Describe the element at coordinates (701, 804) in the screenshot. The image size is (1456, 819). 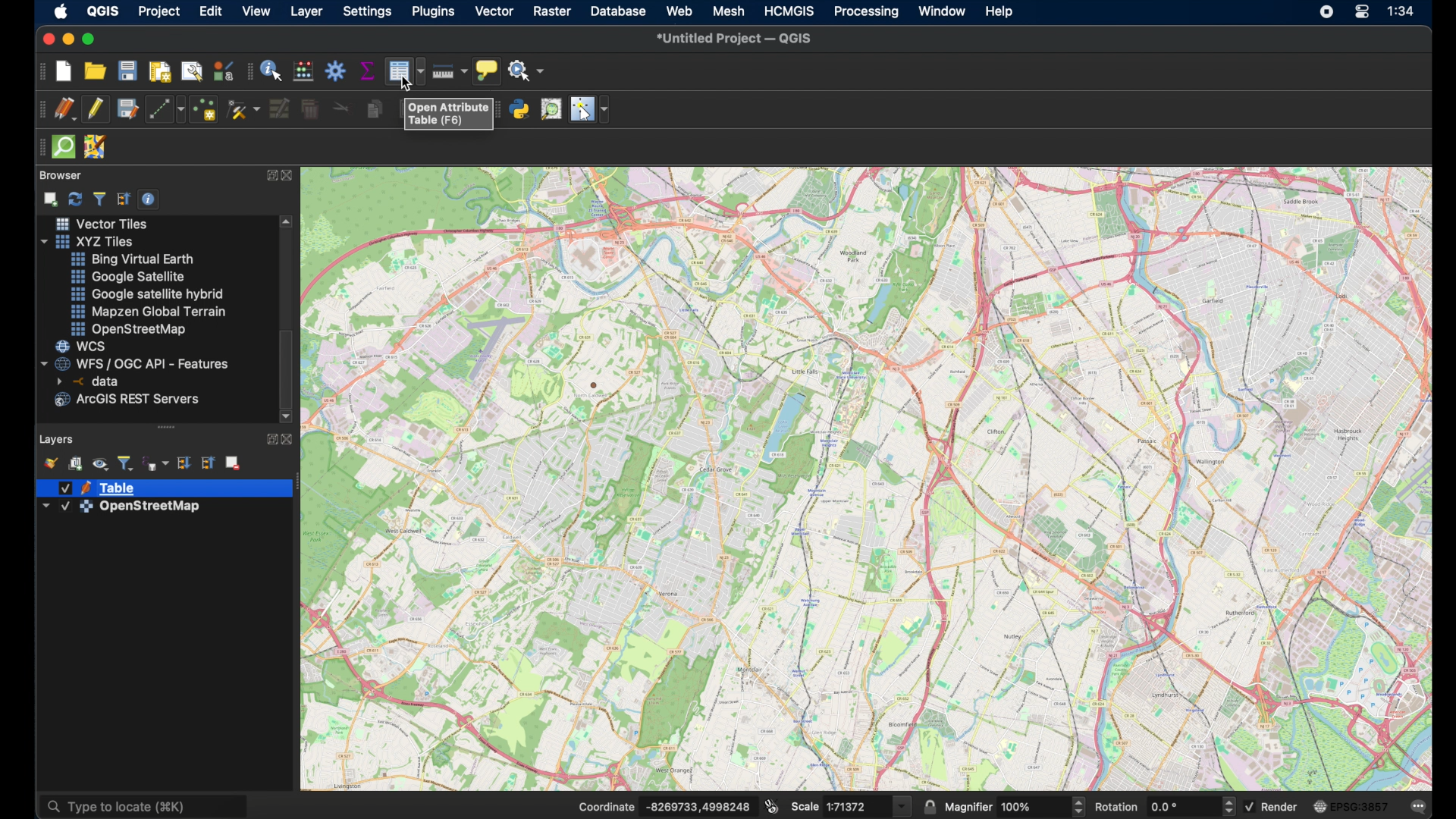
I see `coordinate value` at that location.